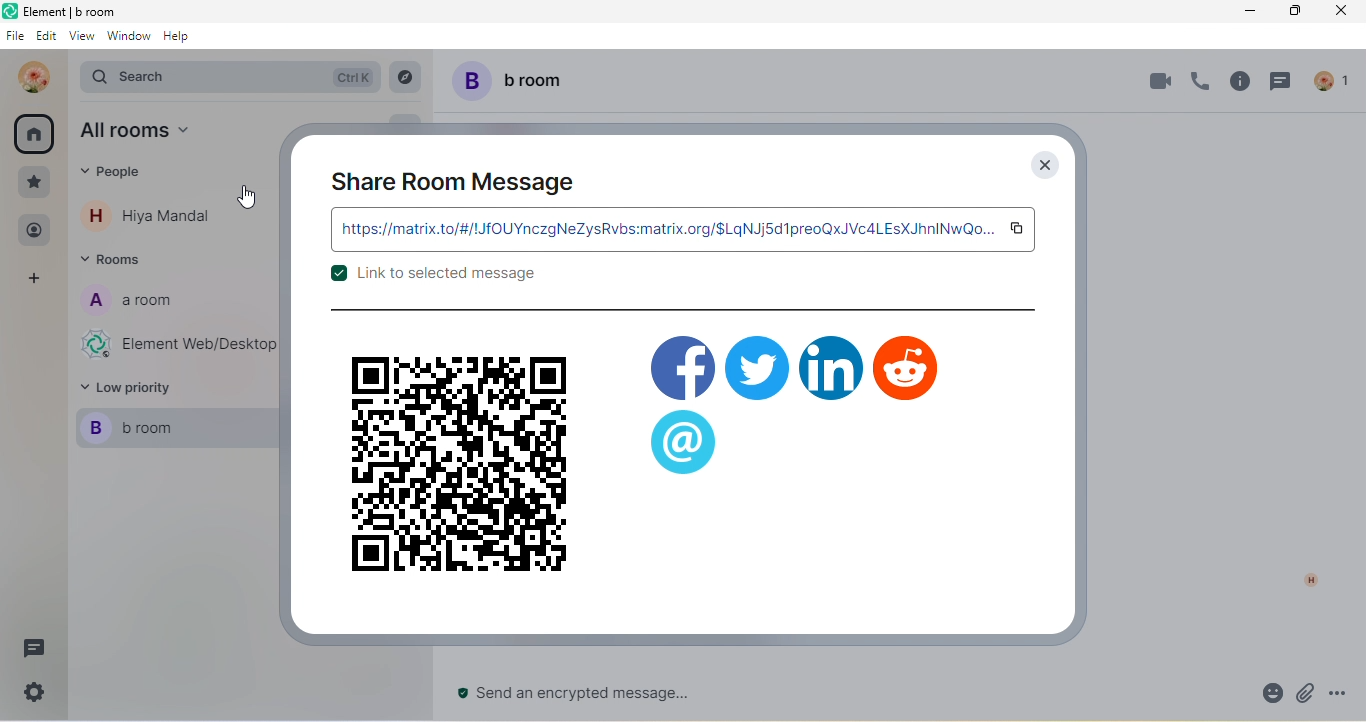 The width and height of the screenshot is (1366, 722). I want to click on low priority, so click(140, 388).